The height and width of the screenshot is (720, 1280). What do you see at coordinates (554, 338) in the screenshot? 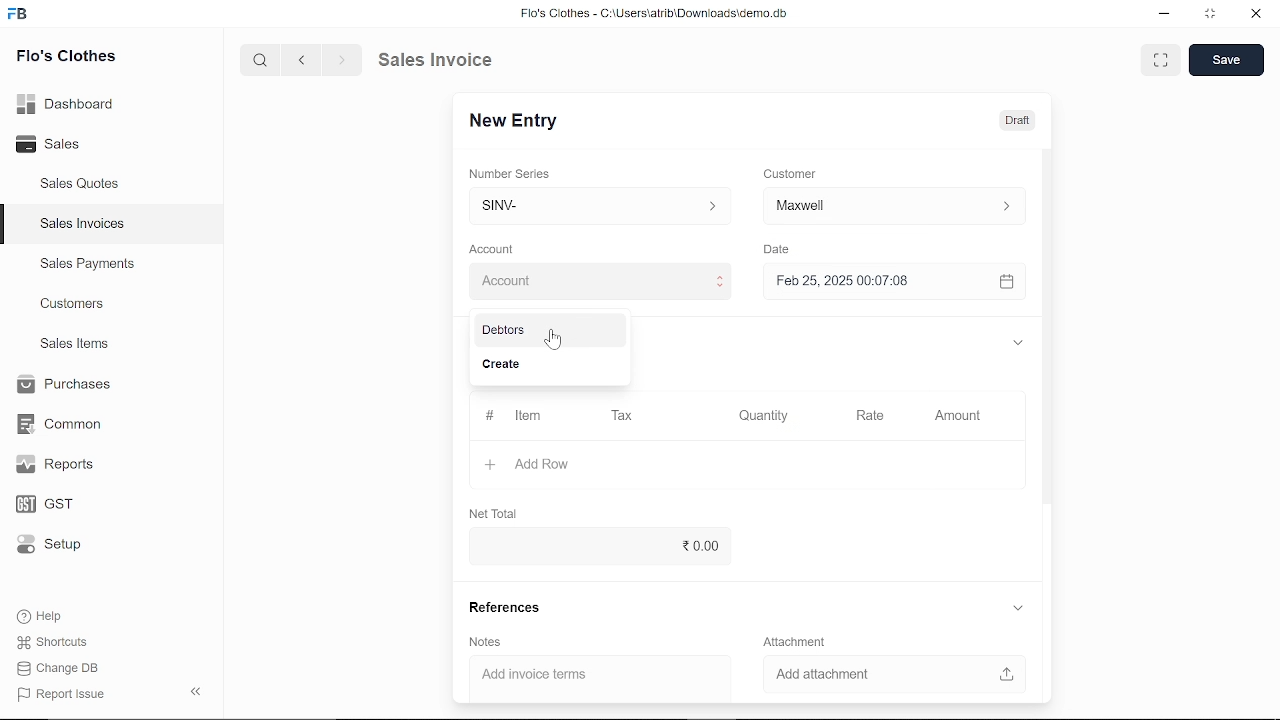
I see `cursor` at bounding box center [554, 338].